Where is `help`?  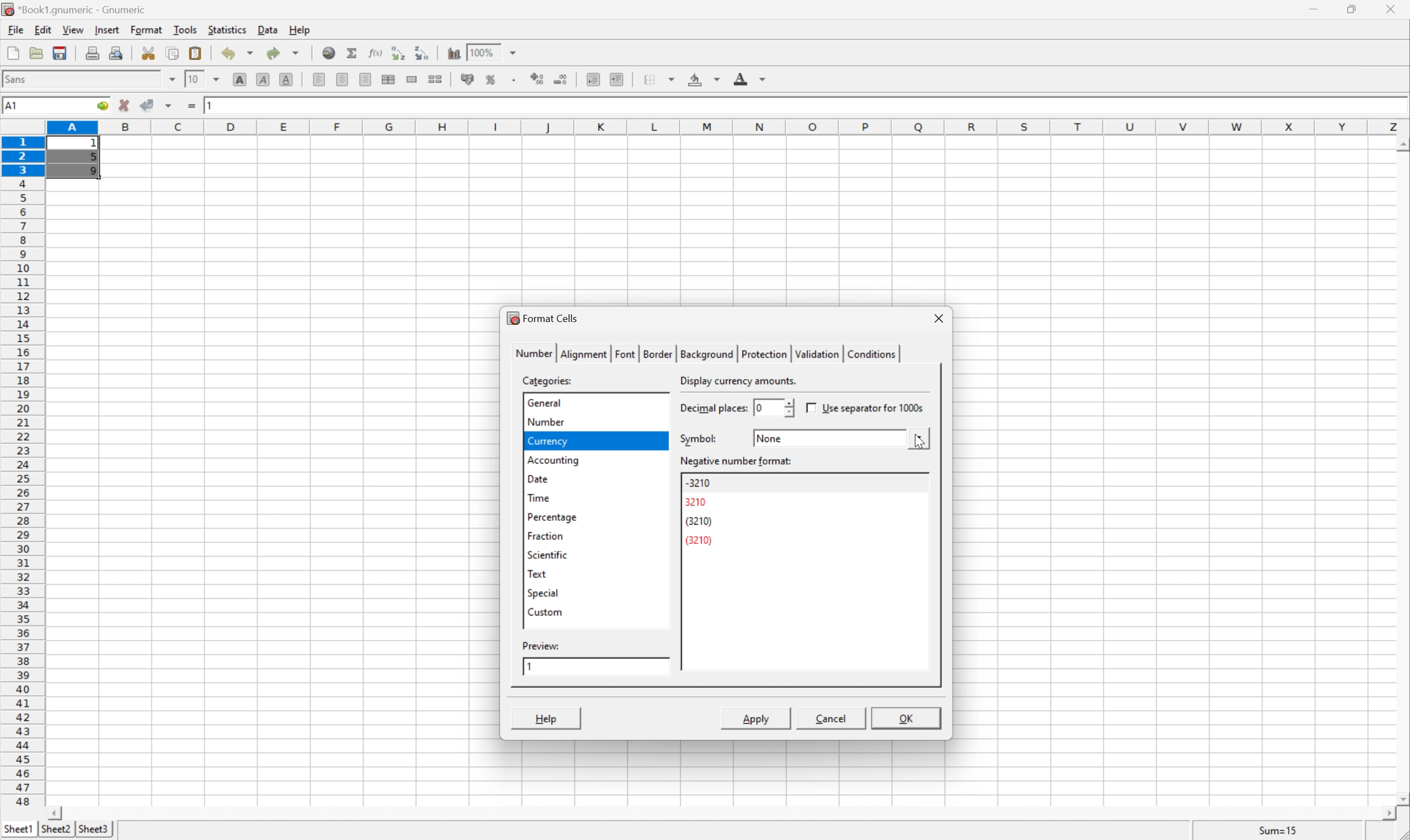 help is located at coordinates (546, 718).